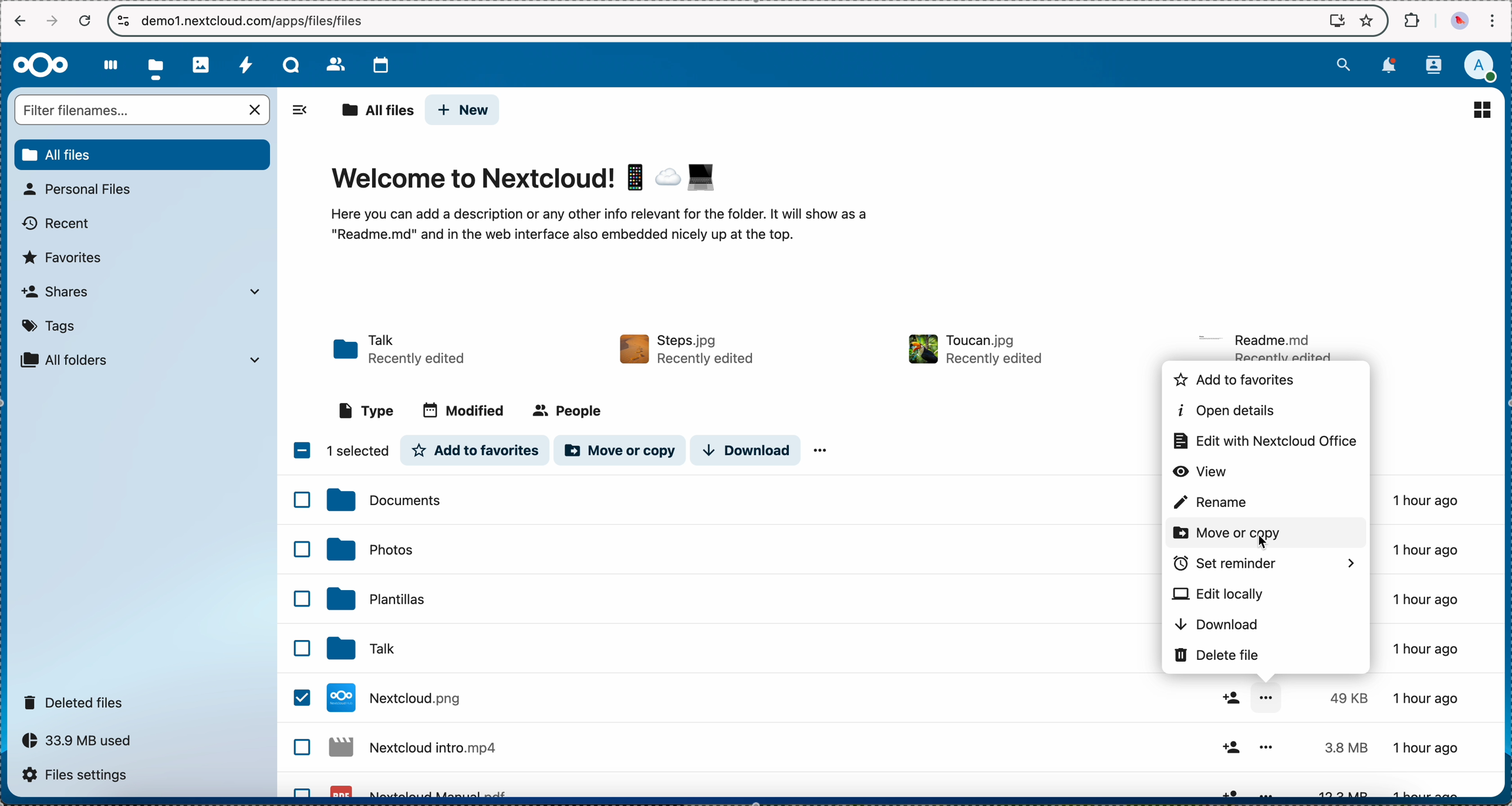 The image size is (1512, 806). What do you see at coordinates (747, 450) in the screenshot?
I see `download` at bounding box center [747, 450].